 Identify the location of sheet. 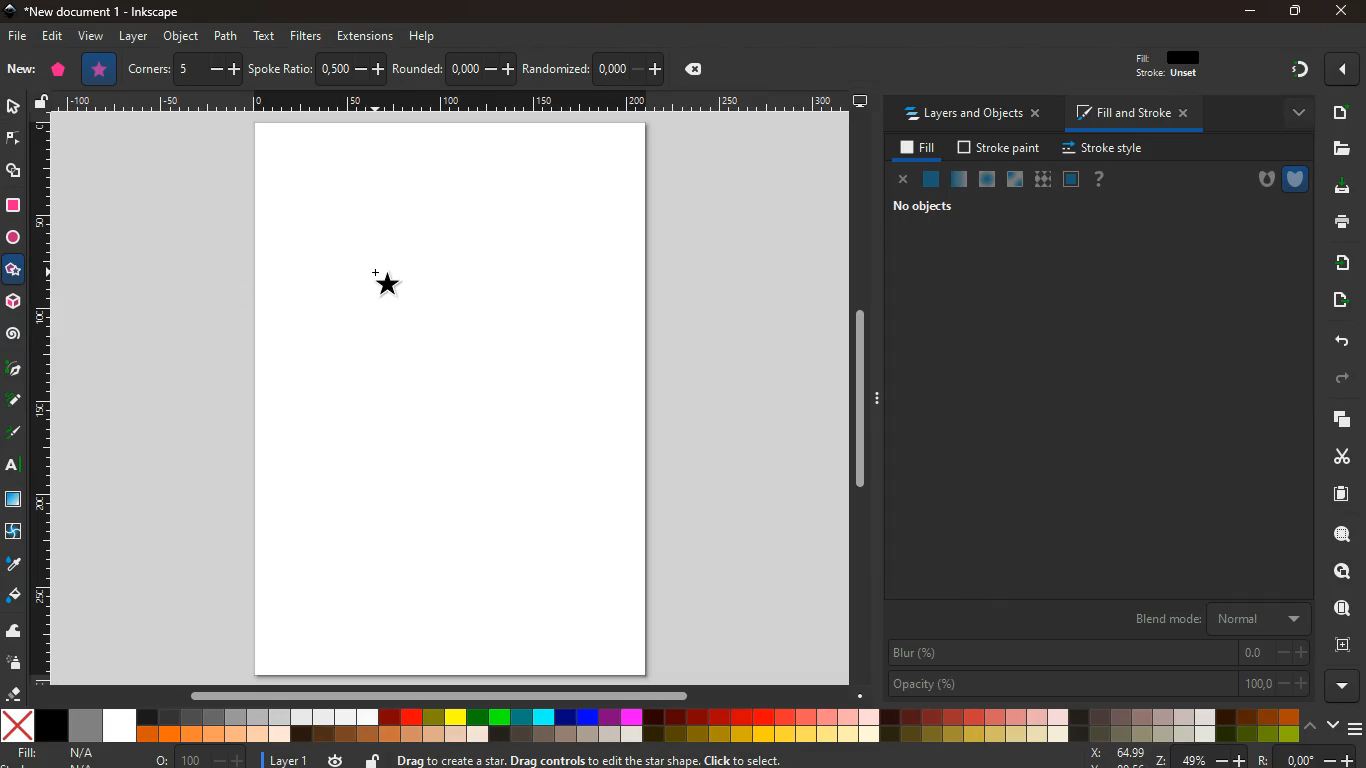
(1334, 498).